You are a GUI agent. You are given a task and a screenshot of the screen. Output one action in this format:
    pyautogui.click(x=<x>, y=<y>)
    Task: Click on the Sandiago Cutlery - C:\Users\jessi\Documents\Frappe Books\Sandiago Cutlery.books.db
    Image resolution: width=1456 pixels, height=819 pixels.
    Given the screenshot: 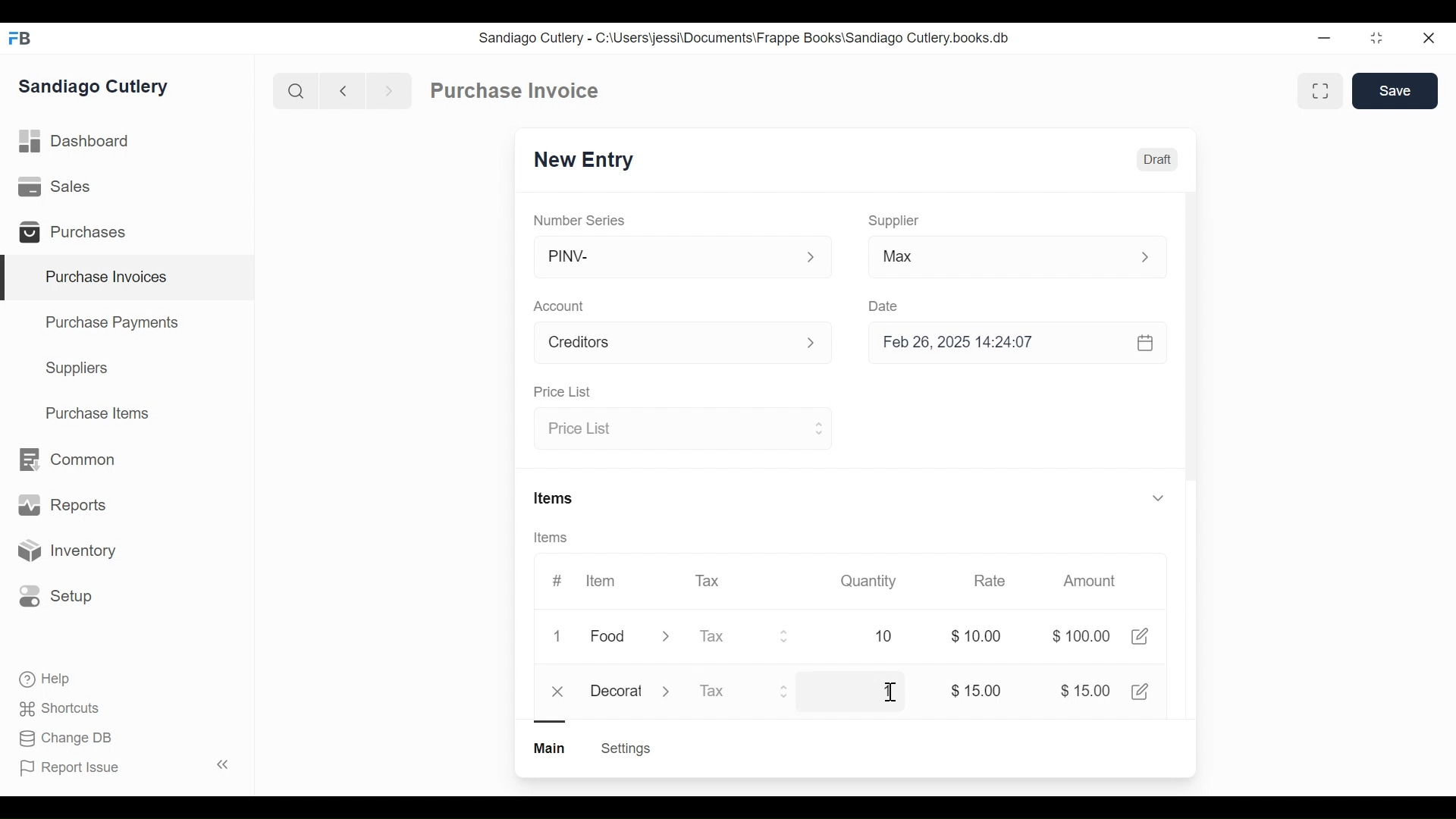 What is the action you would take?
    pyautogui.click(x=745, y=38)
    